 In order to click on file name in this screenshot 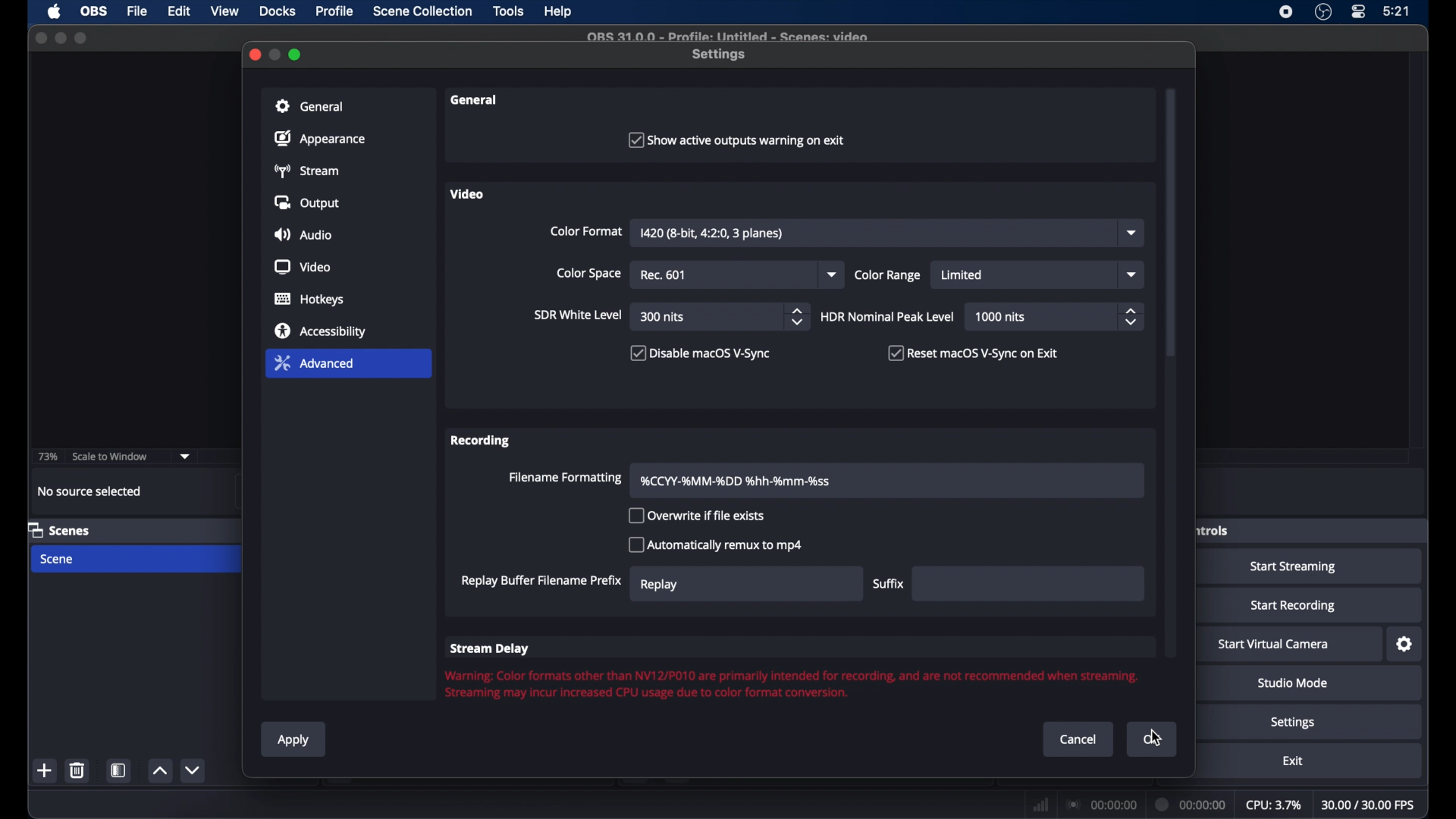, I will do `click(727, 35)`.